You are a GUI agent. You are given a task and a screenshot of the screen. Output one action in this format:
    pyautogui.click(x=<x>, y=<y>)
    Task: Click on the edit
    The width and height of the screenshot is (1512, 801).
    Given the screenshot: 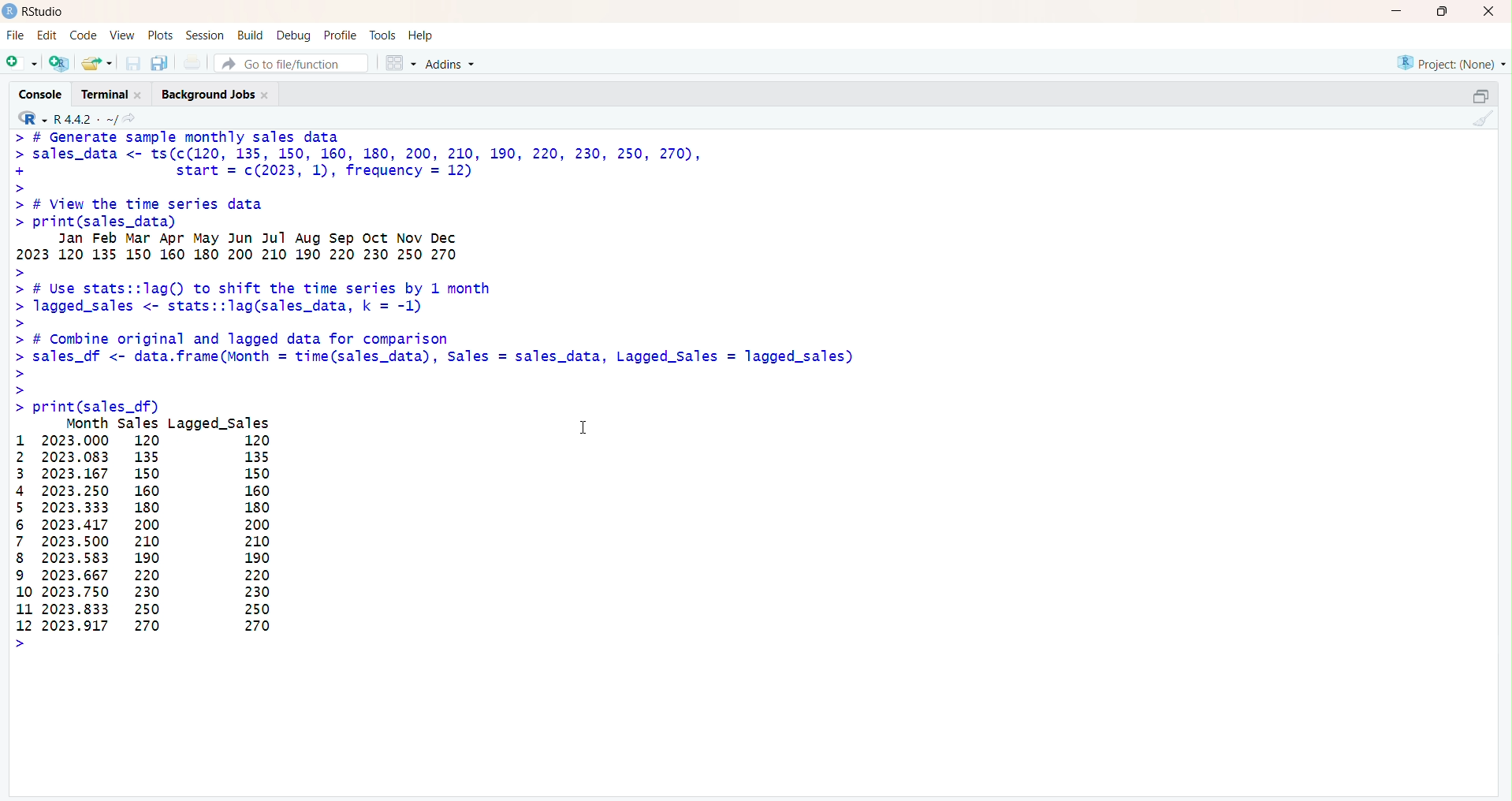 What is the action you would take?
    pyautogui.click(x=47, y=35)
    